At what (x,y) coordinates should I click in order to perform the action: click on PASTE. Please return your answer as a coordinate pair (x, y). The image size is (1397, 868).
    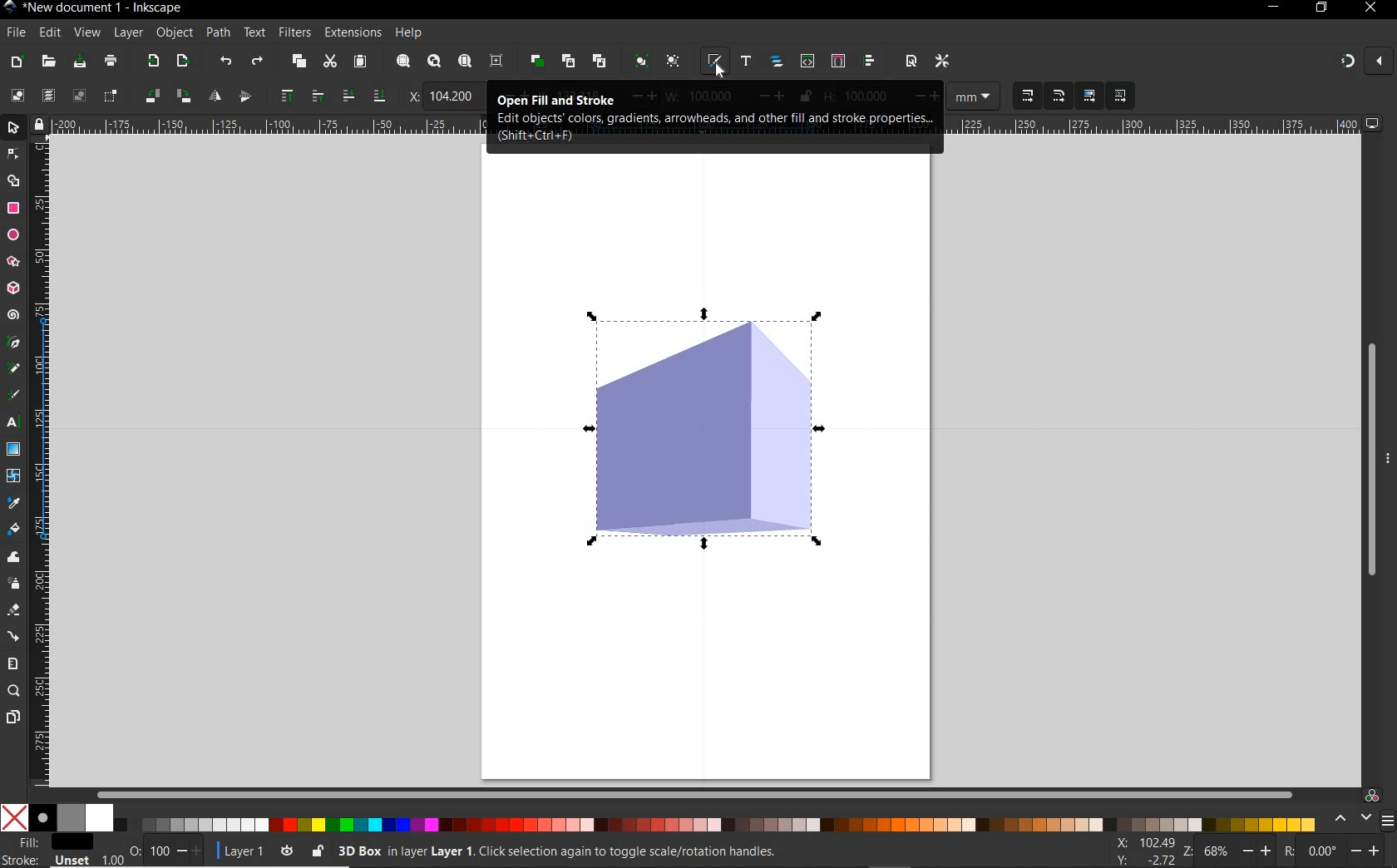
    Looking at the image, I should click on (359, 62).